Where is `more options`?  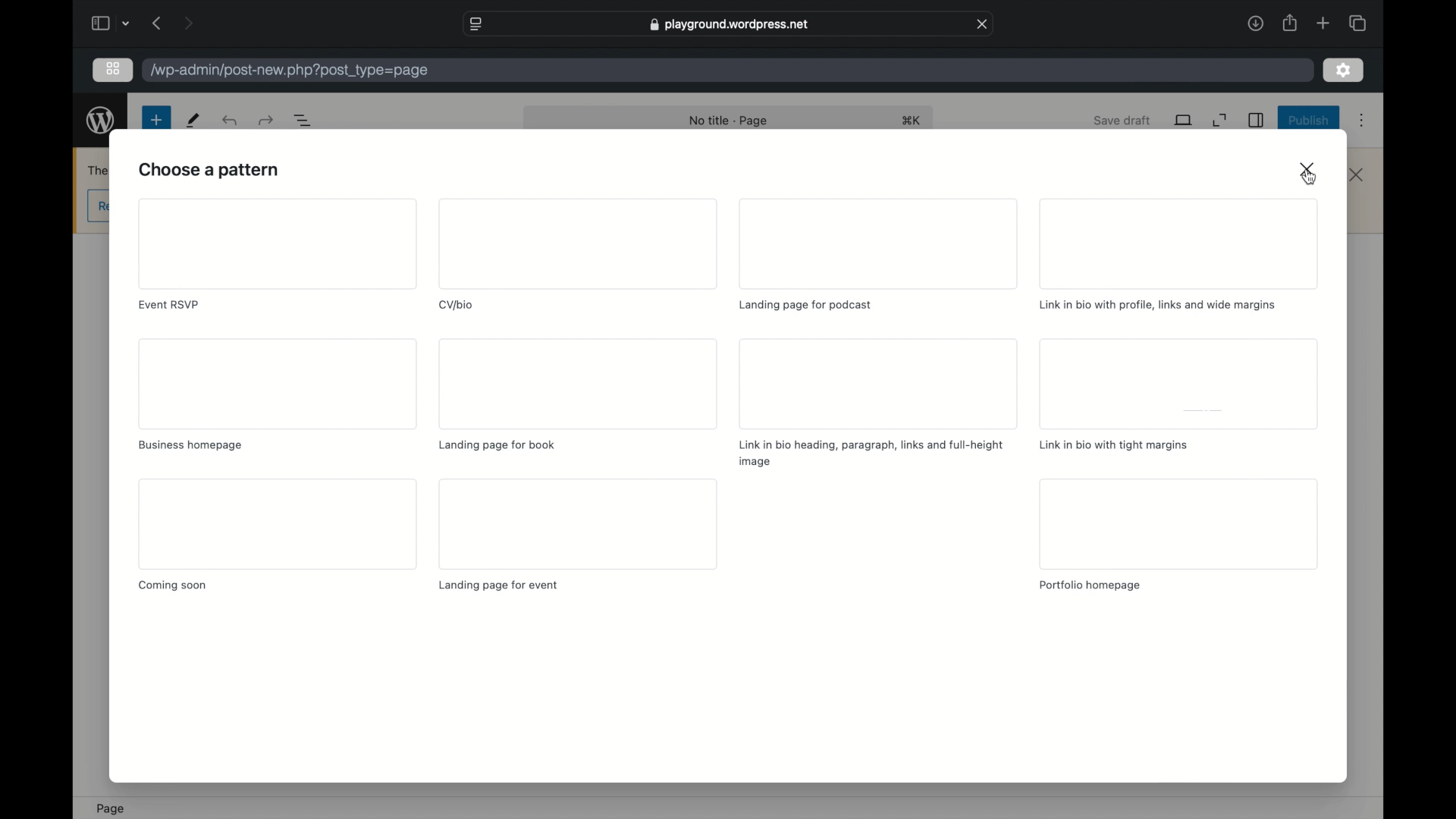 more options is located at coordinates (1363, 121).